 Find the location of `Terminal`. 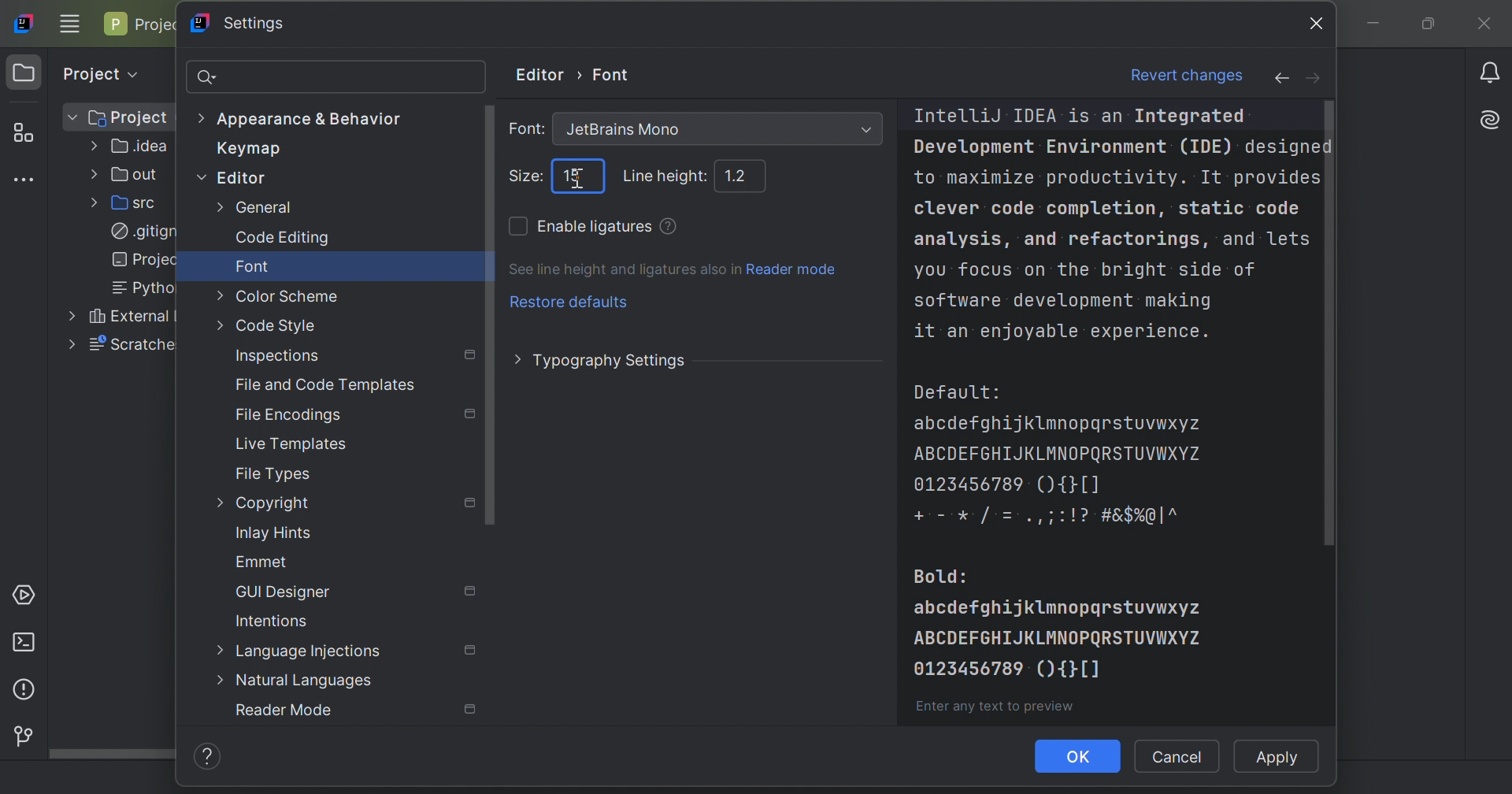

Terminal is located at coordinates (28, 642).